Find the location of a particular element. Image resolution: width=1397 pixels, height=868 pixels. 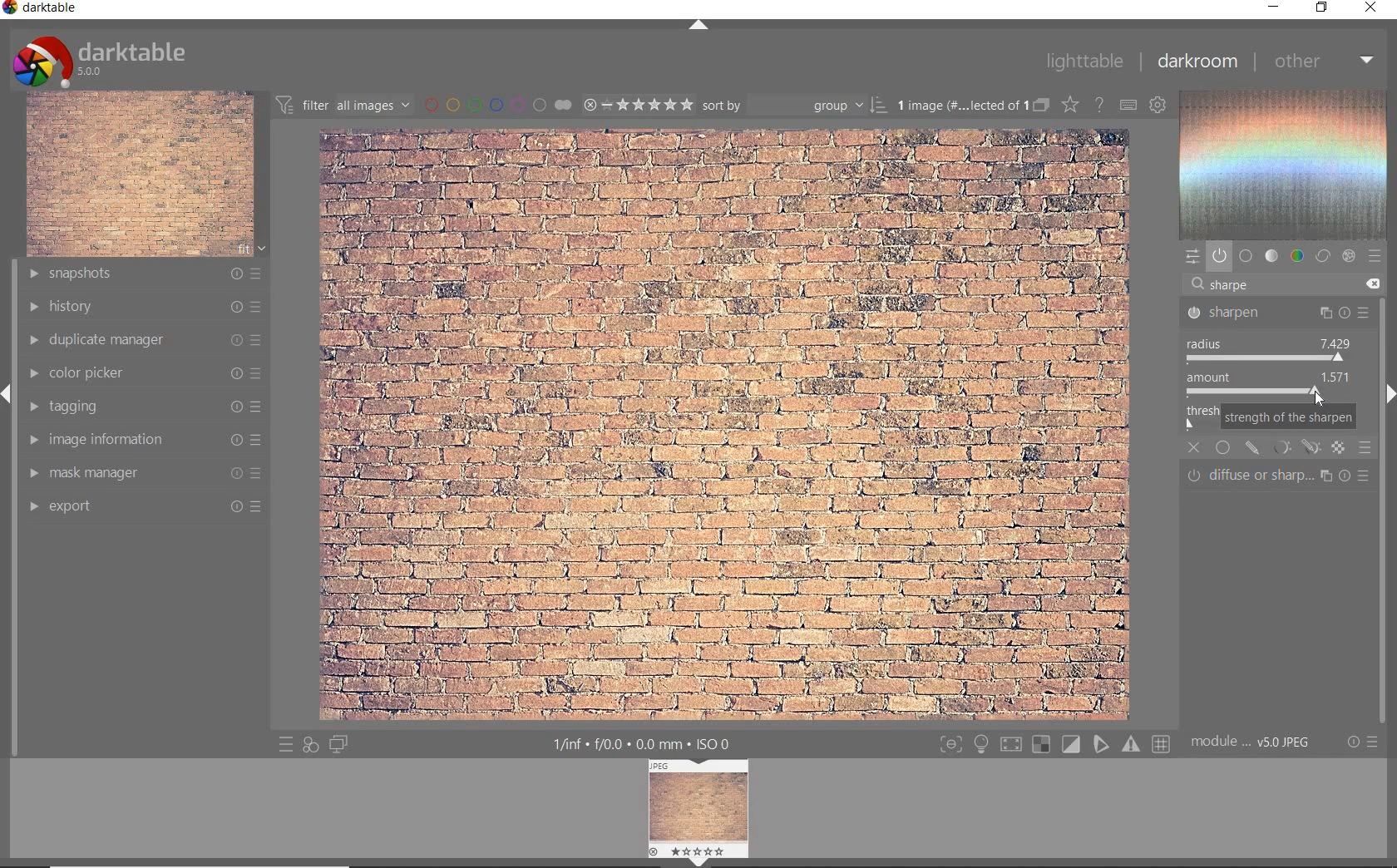

next is located at coordinates (1389, 394).